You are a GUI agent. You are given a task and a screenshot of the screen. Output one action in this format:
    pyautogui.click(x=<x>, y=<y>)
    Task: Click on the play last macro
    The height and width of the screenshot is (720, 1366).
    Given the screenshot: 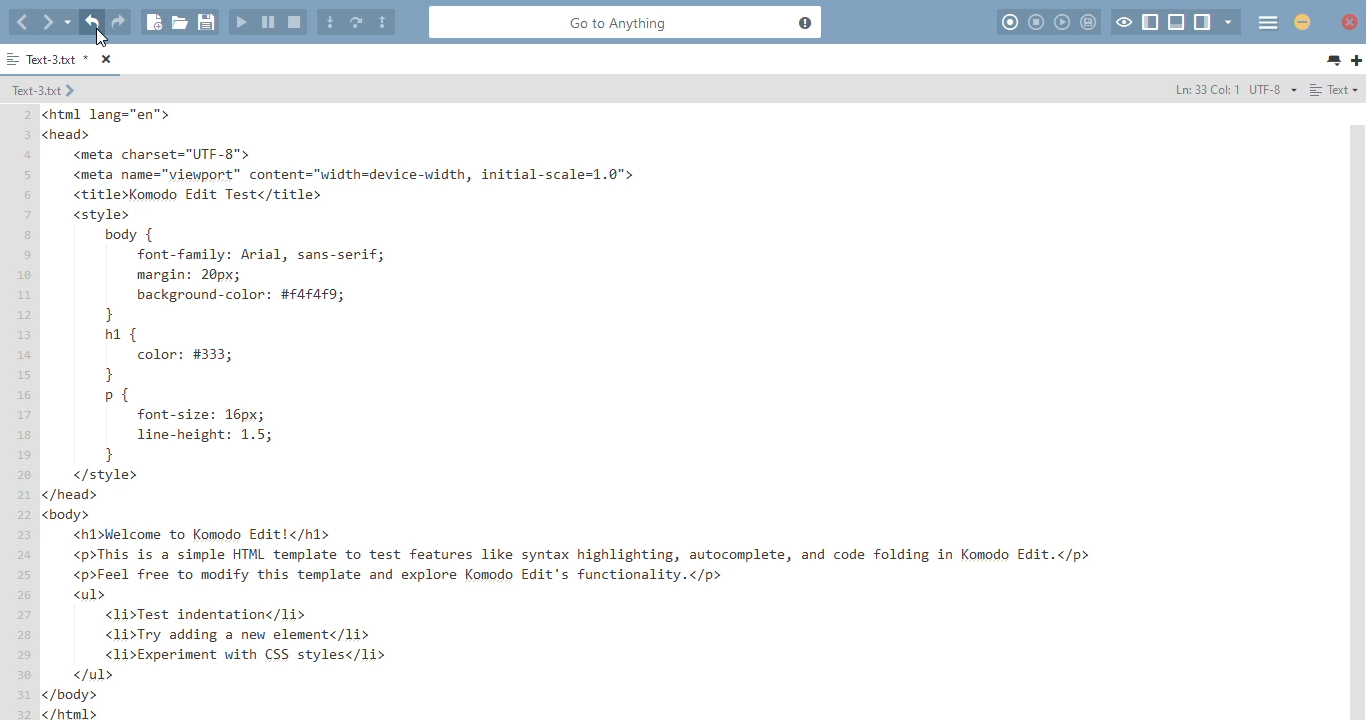 What is the action you would take?
    pyautogui.click(x=1062, y=22)
    